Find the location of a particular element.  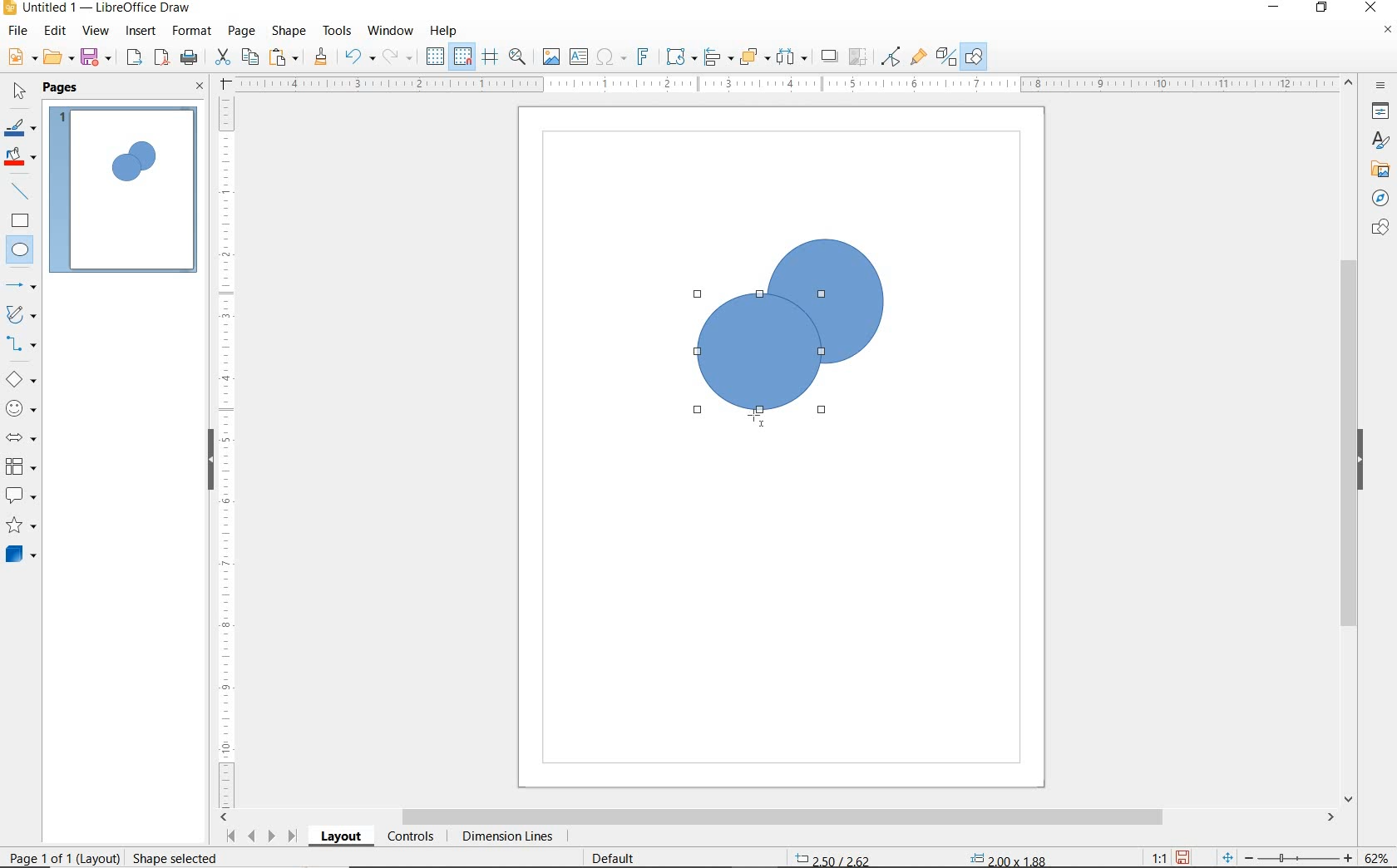

CURVES AND POLYGONS is located at coordinates (20, 316).